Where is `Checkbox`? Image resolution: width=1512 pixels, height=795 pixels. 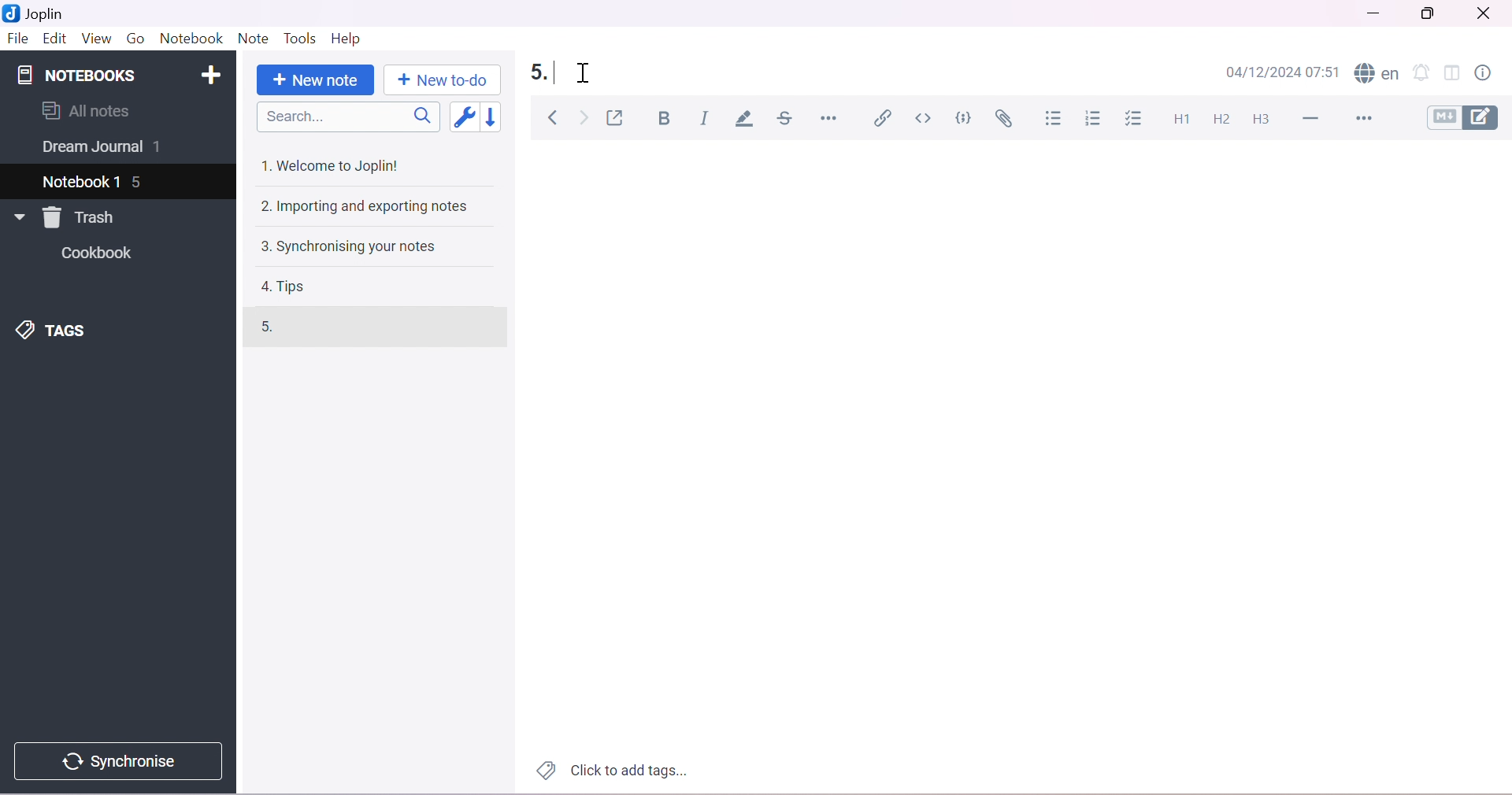
Checkbox is located at coordinates (1137, 119).